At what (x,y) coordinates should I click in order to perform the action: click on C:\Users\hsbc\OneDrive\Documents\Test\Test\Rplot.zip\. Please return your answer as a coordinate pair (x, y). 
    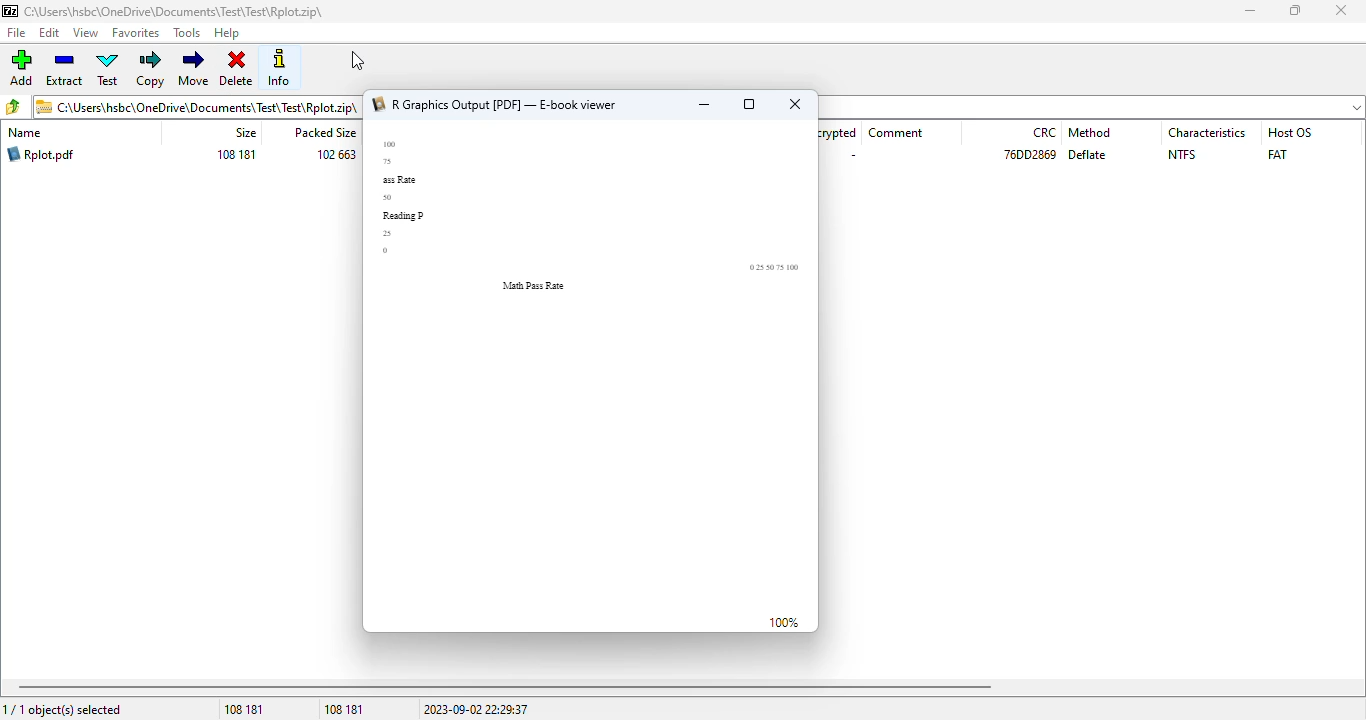
    Looking at the image, I should click on (166, 12).